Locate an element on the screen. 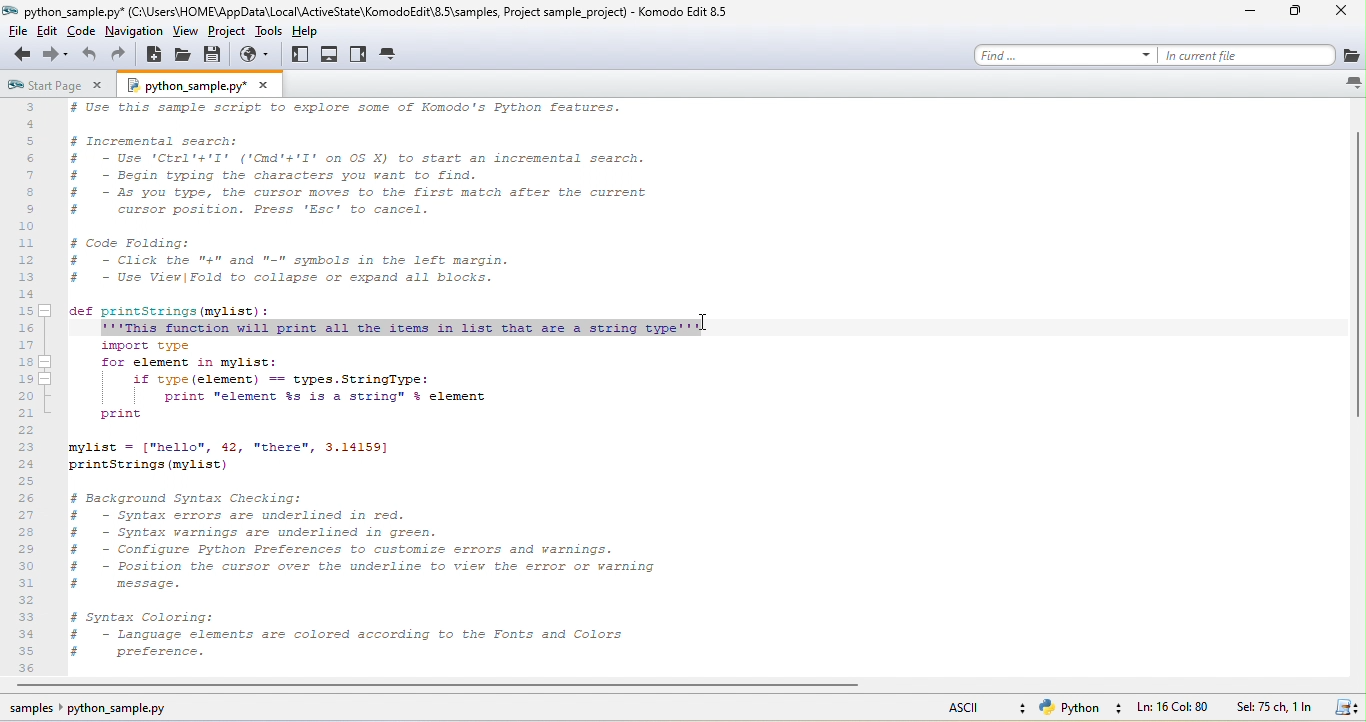 This screenshot has height=722, width=1366. close is located at coordinates (1343, 14).